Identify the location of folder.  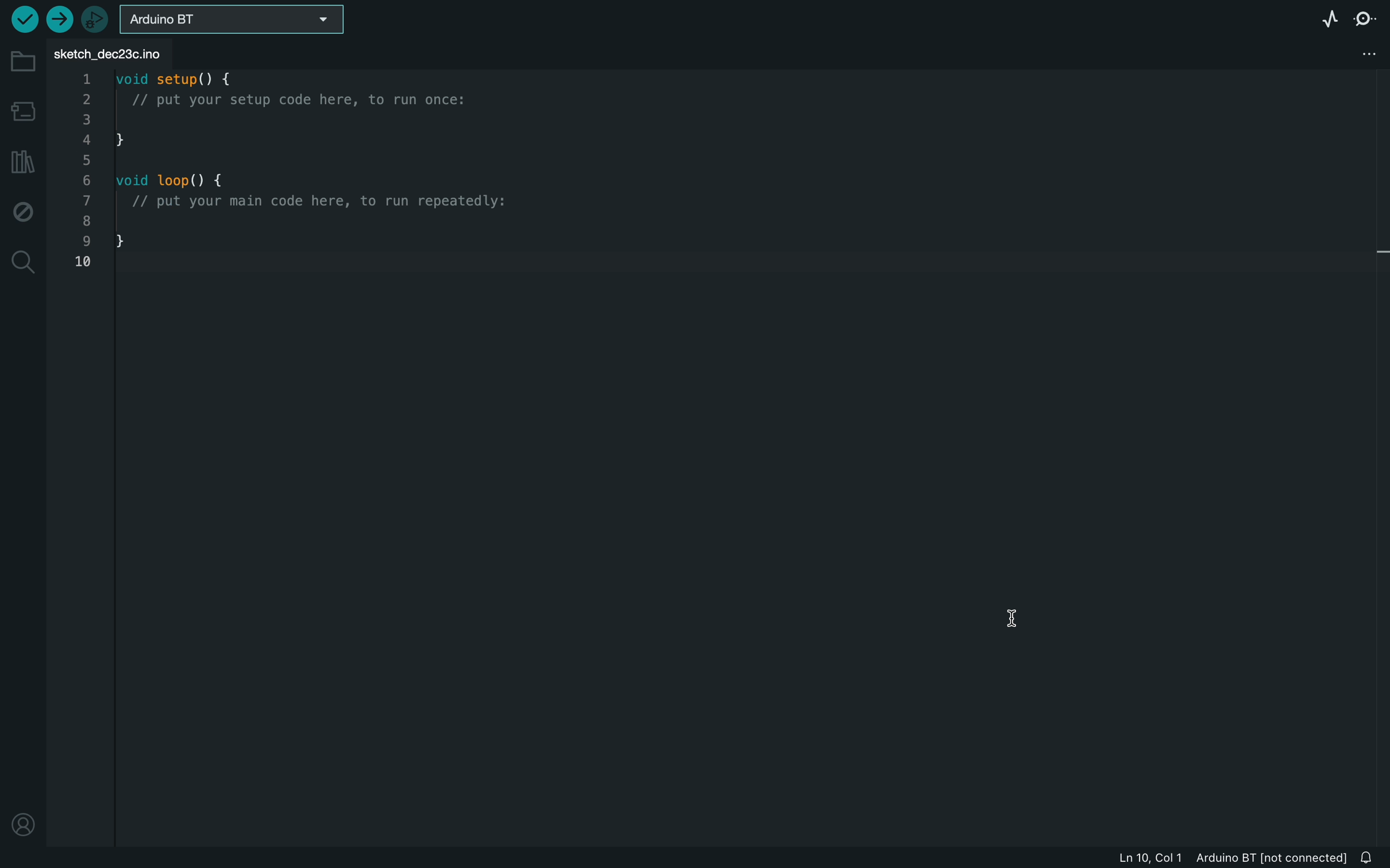
(20, 56).